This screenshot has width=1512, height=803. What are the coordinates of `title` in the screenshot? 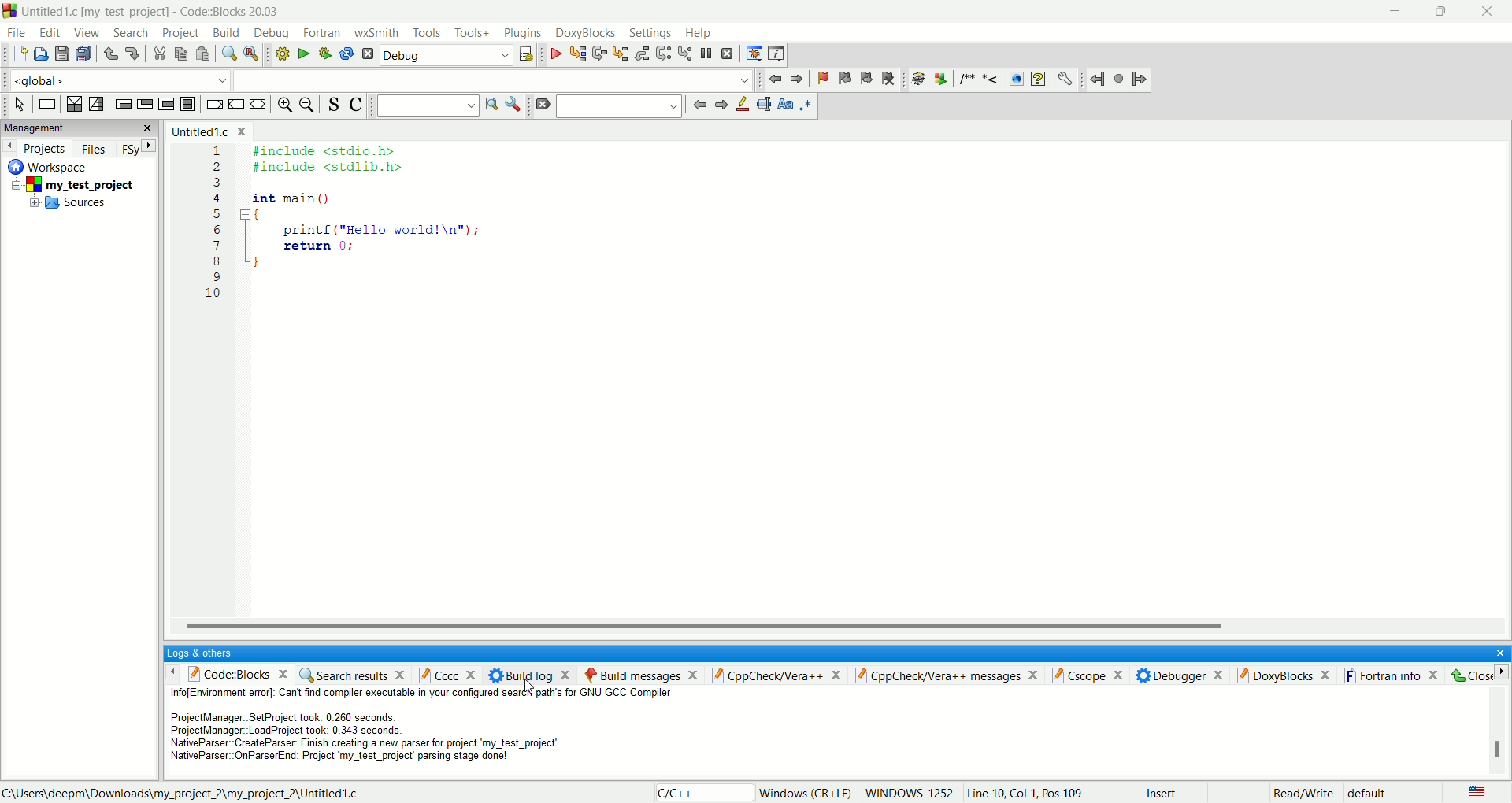 It's located at (152, 11).